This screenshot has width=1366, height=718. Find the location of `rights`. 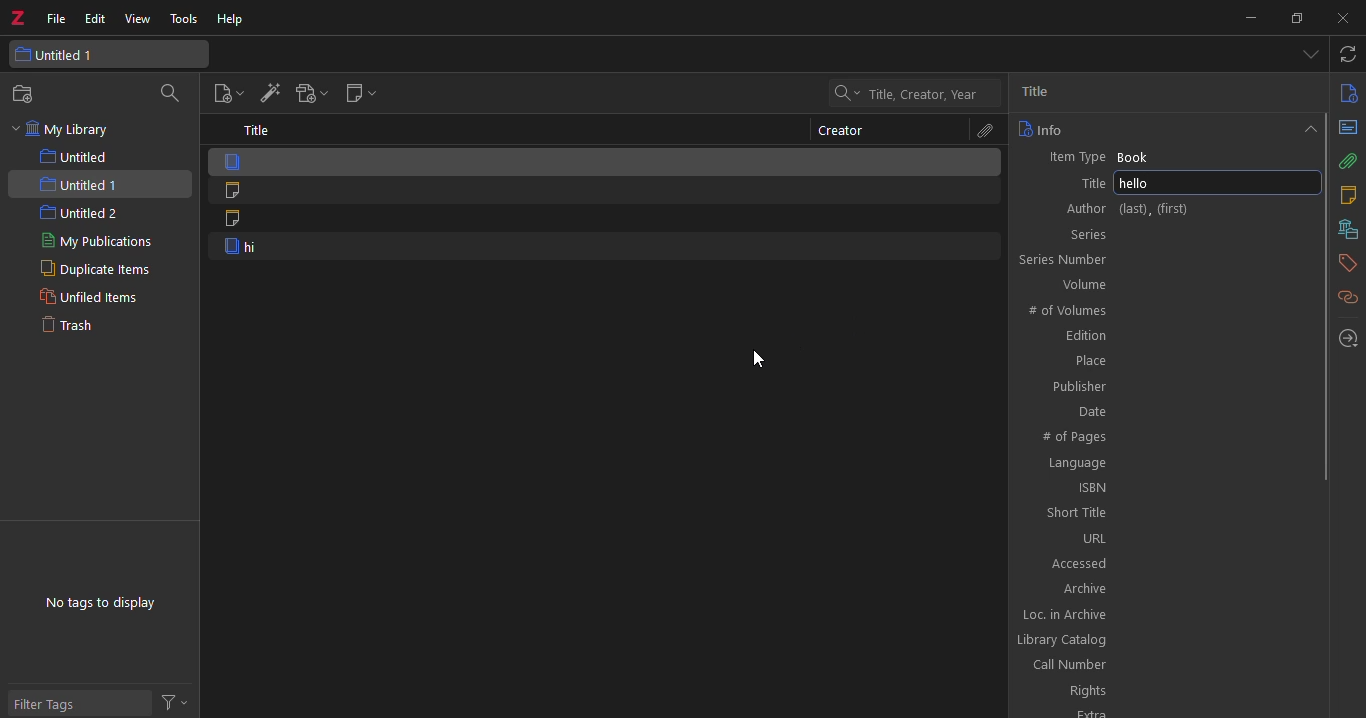

rights is located at coordinates (1158, 691).